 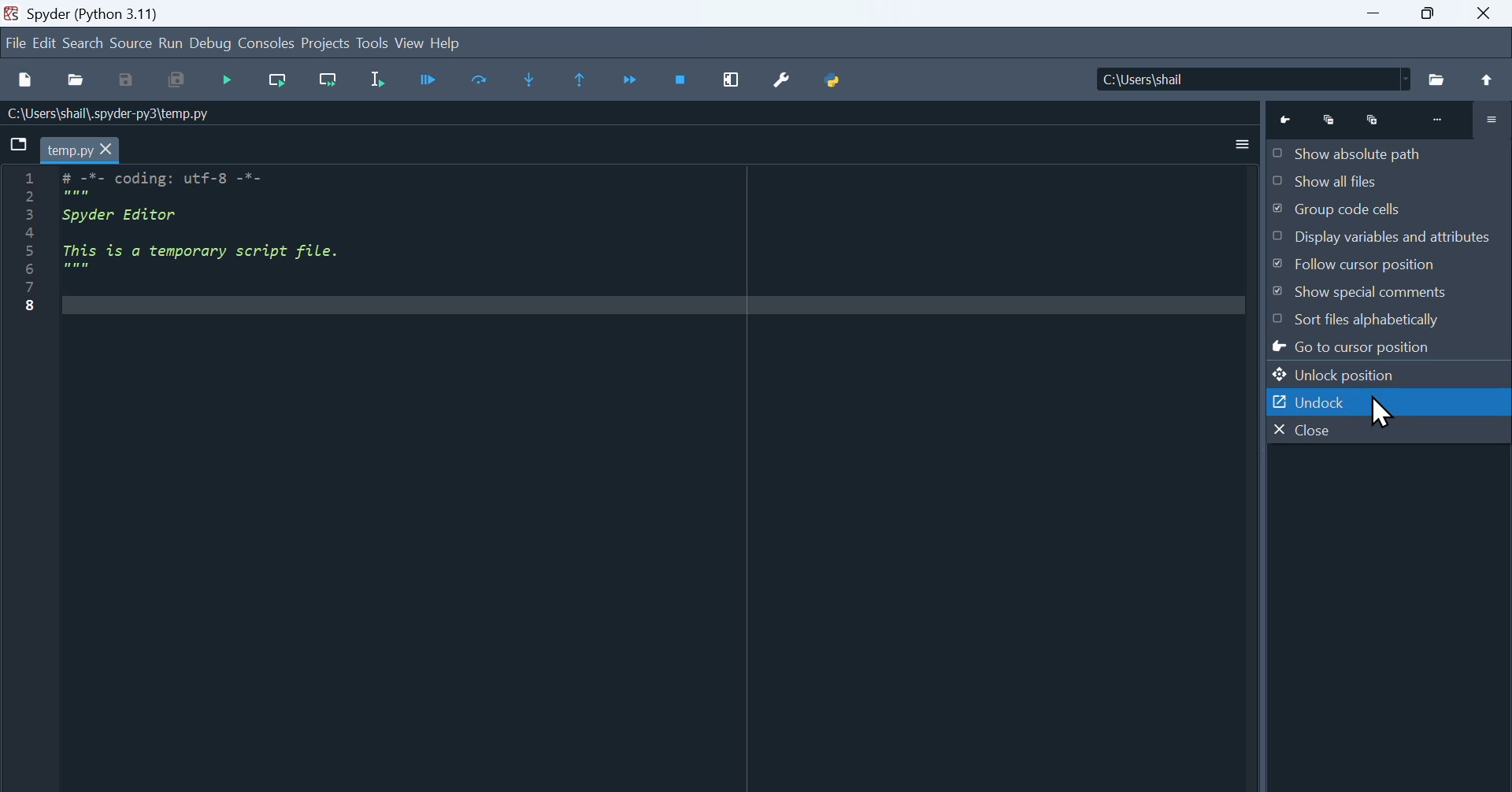 What do you see at coordinates (278, 80) in the screenshot?
I see `Run current cell` at bounding box center [278, 80].